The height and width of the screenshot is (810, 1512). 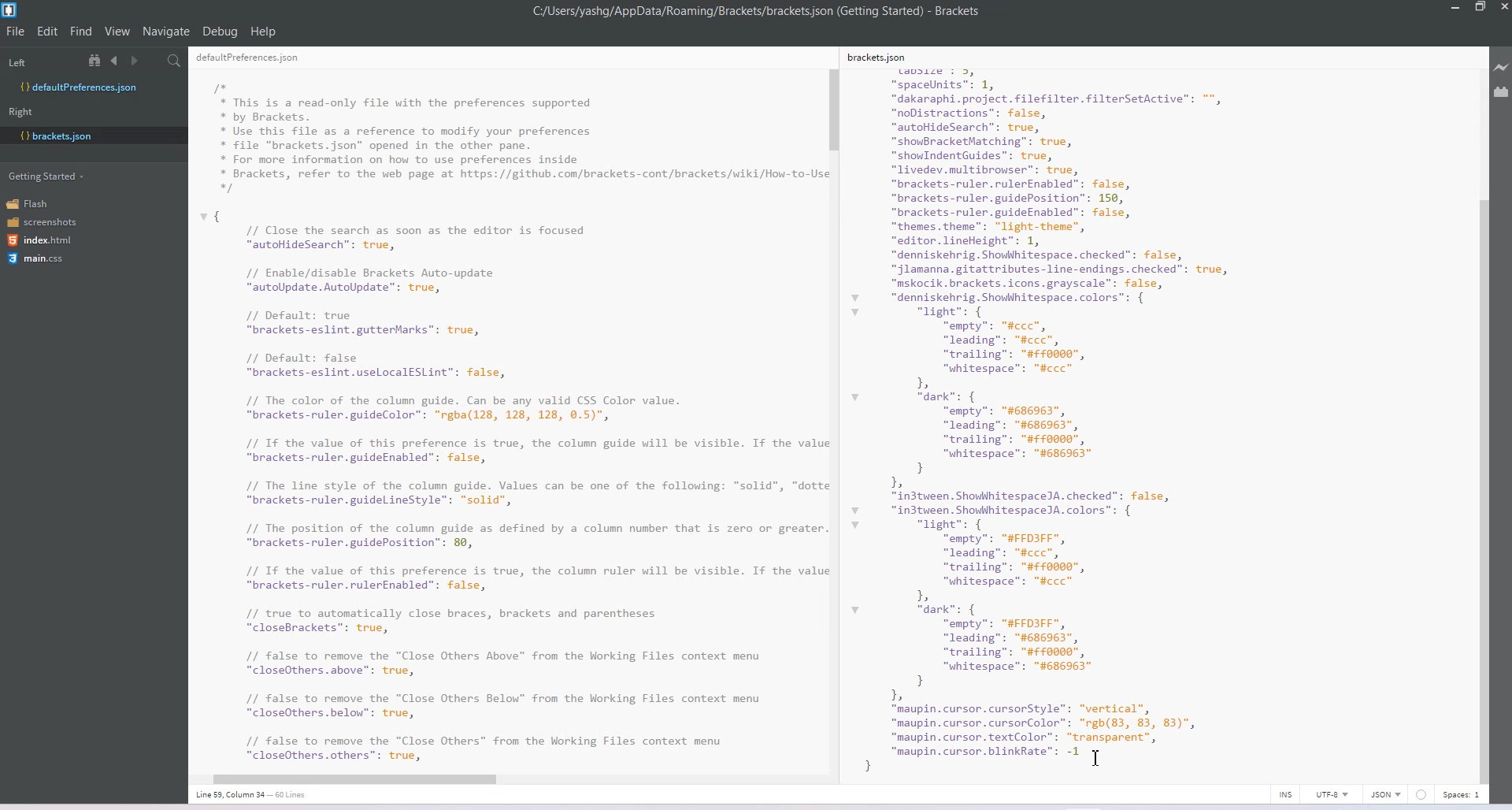 I want to click on RE I
I”
* This is a read-only file with the preferences supported
* by Brackets.
* Use this file as a reference to modify your preferences
* file "brackets.json" opened in the other pane.
* For more information on how to use preferences inside
* Brackets, refer to the web page at https://github.com/brackets-cont/brackets/wiki/How-to-U:
*/
{
// Close the search as soon as the editor is focused
“autoHideSearch”: true,
// Enable/disable Brackets Auto-update
“autoUpdate. AutoUpdate”: true,
// Default: true
“brackets-eslint.gutterMarks": true,
// Default: false
“brackets-eslint.uselocalESLint": false,
// The color of the column guide. Can be any valid CSS Color value.
“brackets-ruler.guideColor": "rgba(128, 128, 128, ©.5)",
// Tf the value of this preference is true, the column guide will be visible. If the val:
“brackets-ruler.guideEnabled": false,
// The line style of the column guide. Values can be one of the following: “solid”, "dott
“brackets-ruler.guidelineStyle": "solid",
// The position of the column guide as defined by a column number that is zero or greater
“brackets-ruler.guidePosition": 89,
// Tf the value of this preference is true, the column ruler will be visible. If the val:
“brackets-ruler.rulerEnabled": false,
// true to automatically close braces, brackets and parentheses
“closeBrackets": true,
// false to remove the "Close Others Above” from the Working Files context menu
“closeOthers.above": true,
// false to remove the "Close Others Below” from the Working Files context menu
“closeOthers.below": true,
// false to remove the "Close Others” from the Working Files context menu
"closeOthers.others”: true,, so click(x=507, y=407).